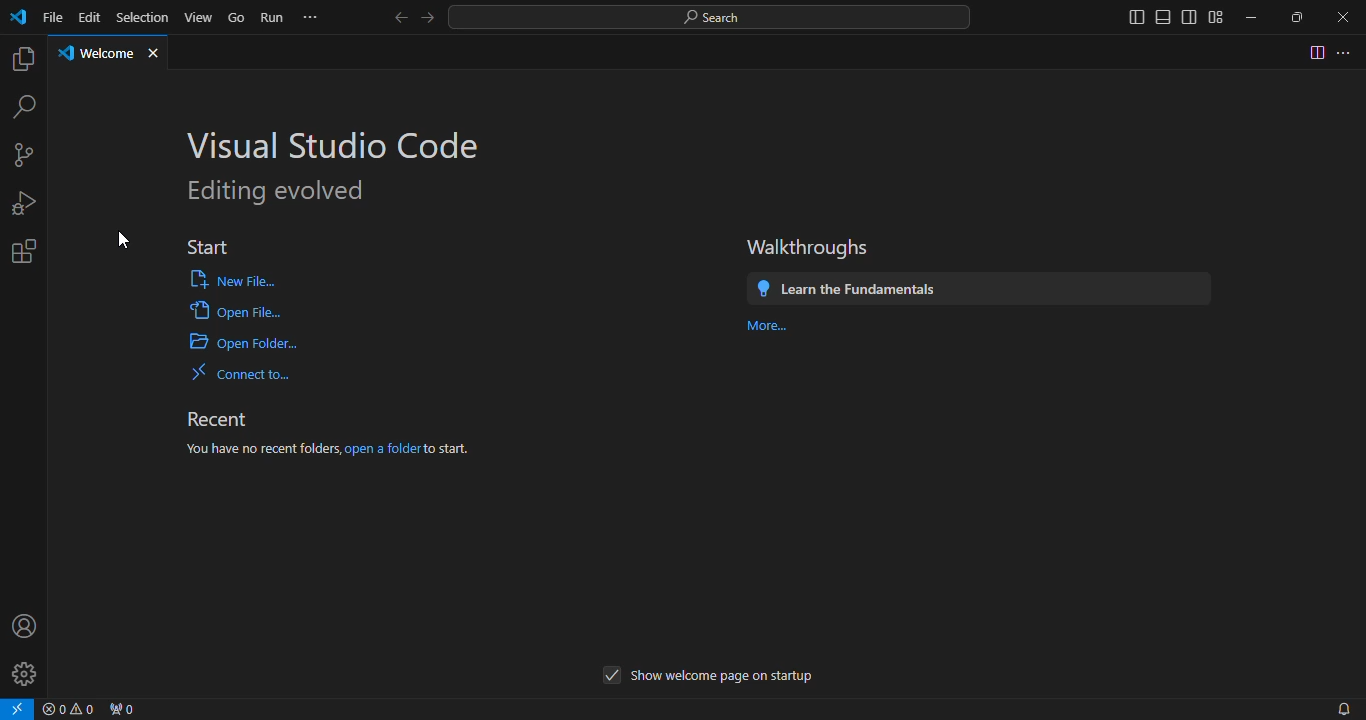  Describe the element at coordinates (73, 710) in the screenshot. I see `warnings` at that location.